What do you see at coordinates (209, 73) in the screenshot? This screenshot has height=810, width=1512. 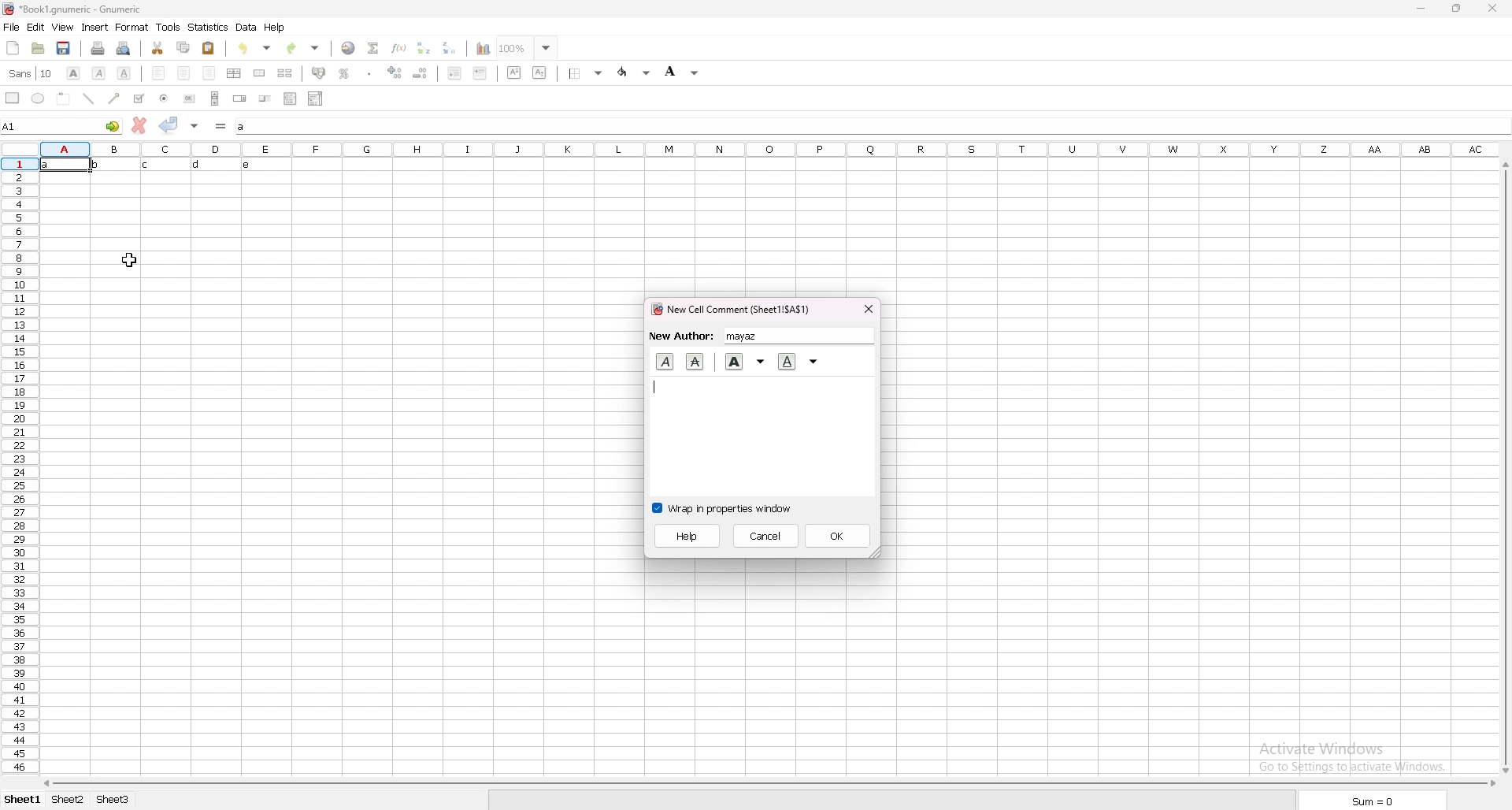 I see `right align` at bounding box center [209, 73].